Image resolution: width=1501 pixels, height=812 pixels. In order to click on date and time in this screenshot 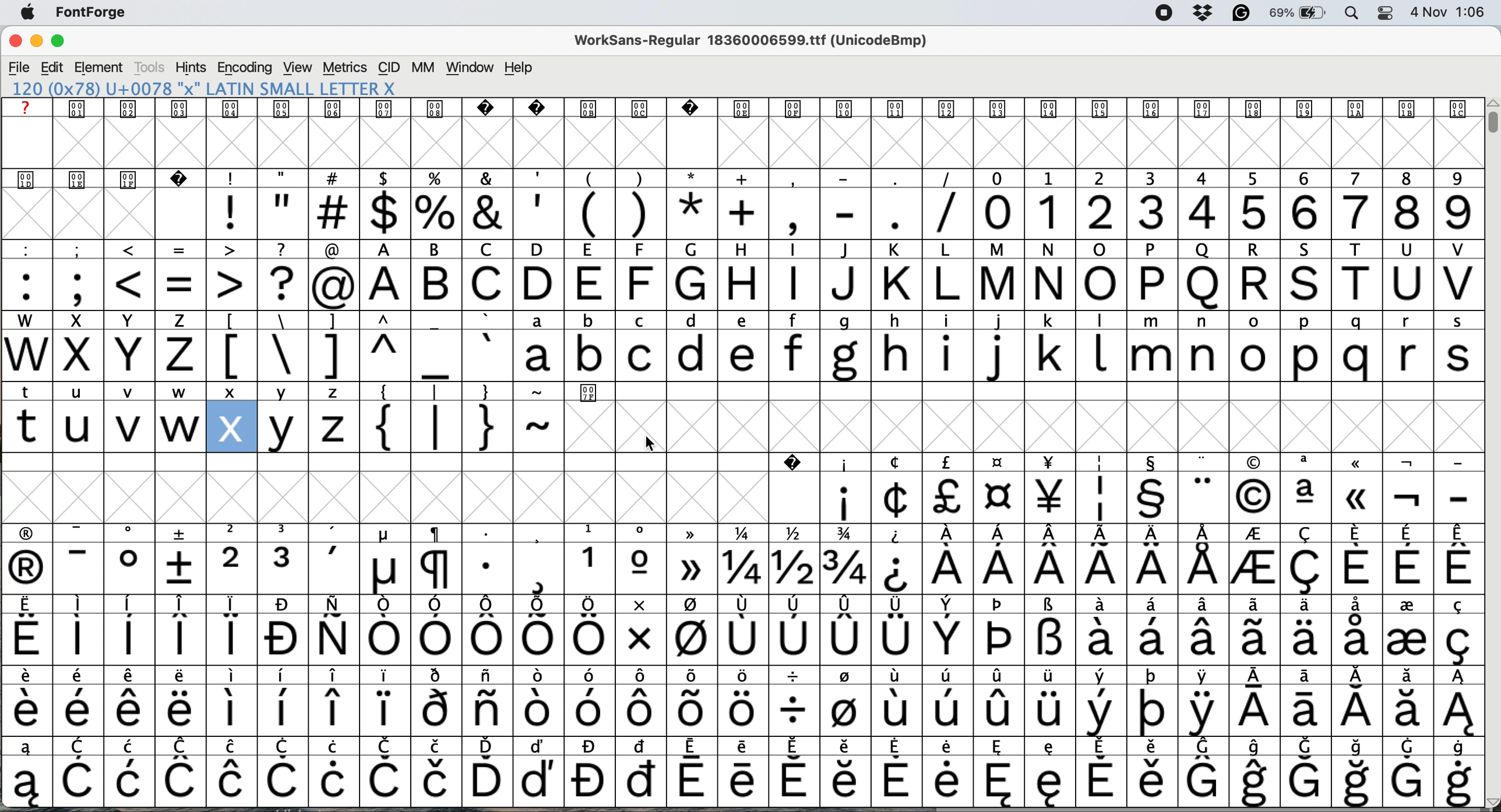, I will do `click(1449, 12)`.